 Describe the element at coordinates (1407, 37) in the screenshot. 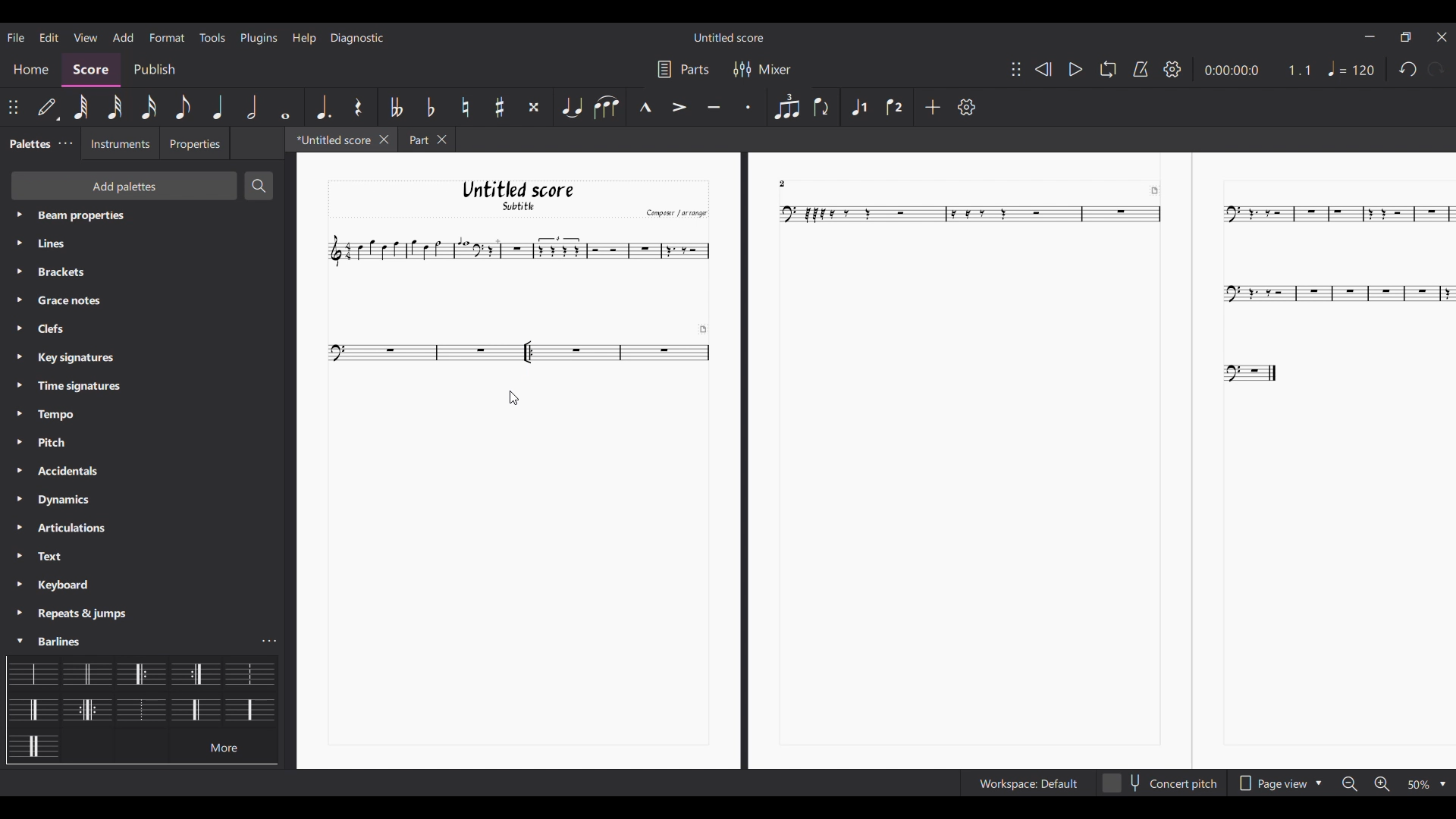

I see `Show in smaller tab` at that location.